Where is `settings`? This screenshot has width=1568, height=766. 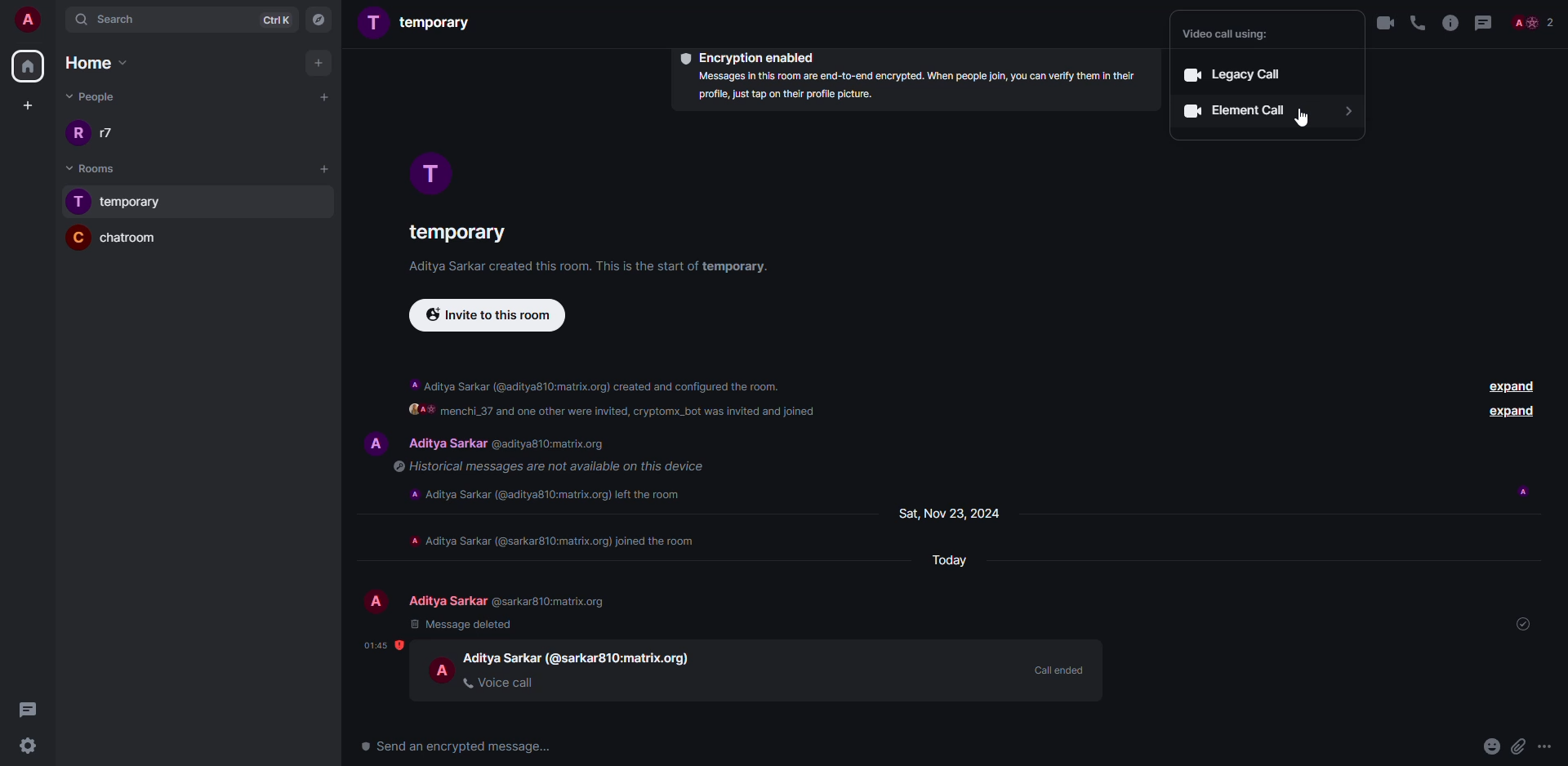 settings is located at coordinates (34, 745).